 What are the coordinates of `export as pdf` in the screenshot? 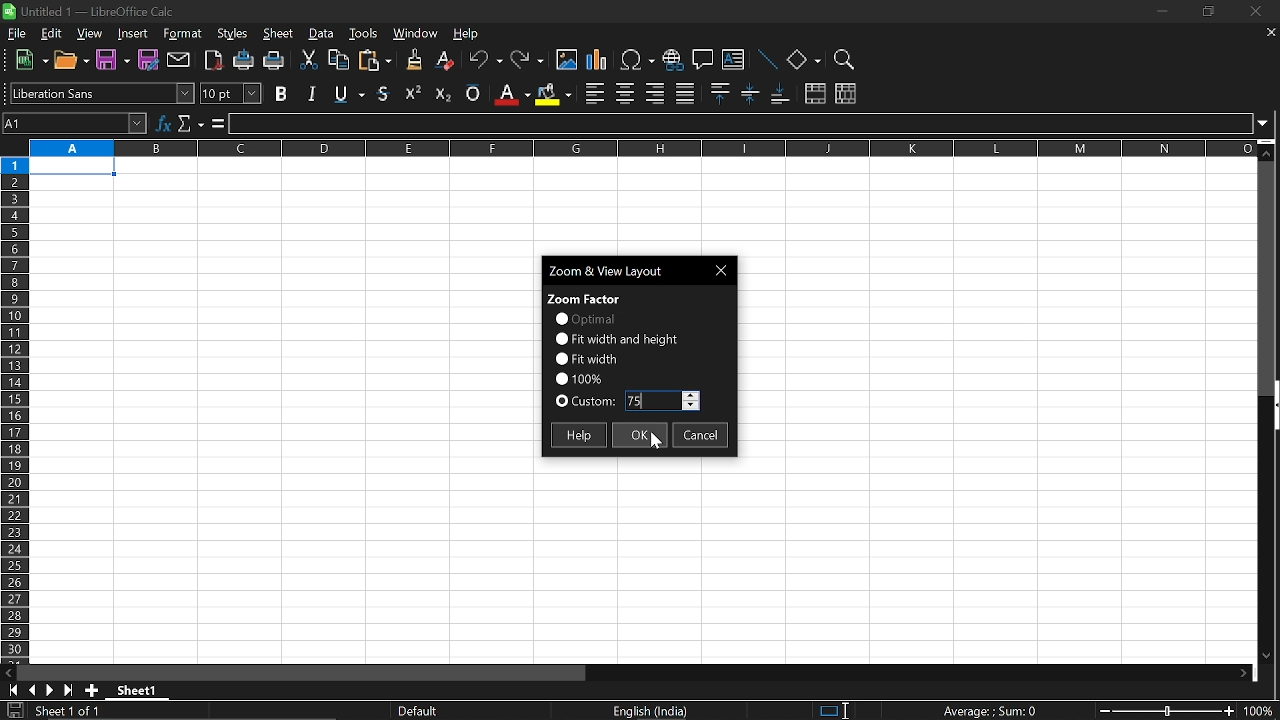 It's located at (215, 62).